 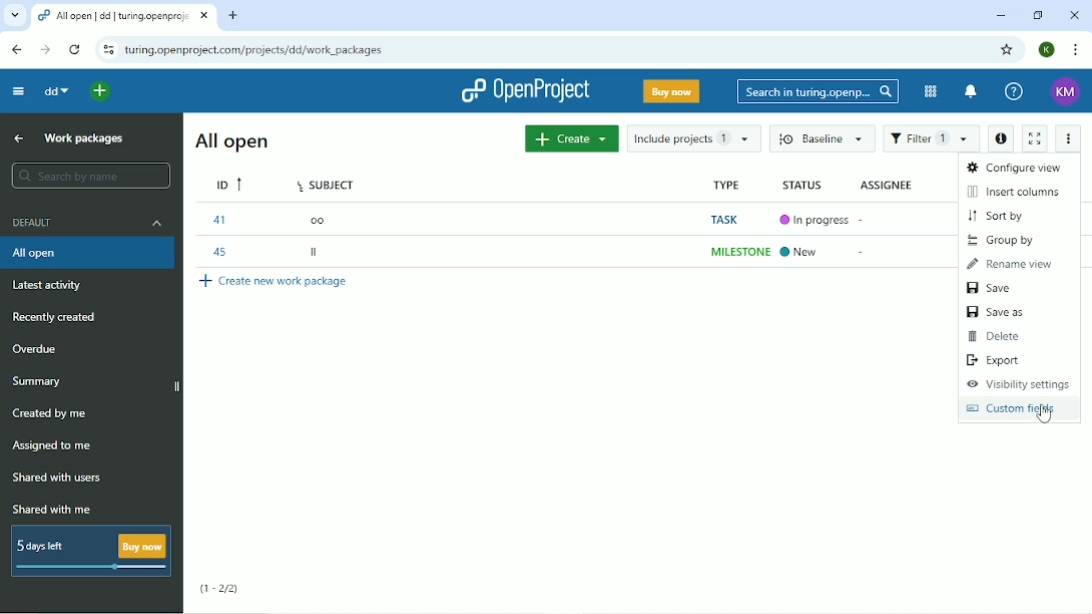 I want to click on Work packages, so click(x=84, y=140).